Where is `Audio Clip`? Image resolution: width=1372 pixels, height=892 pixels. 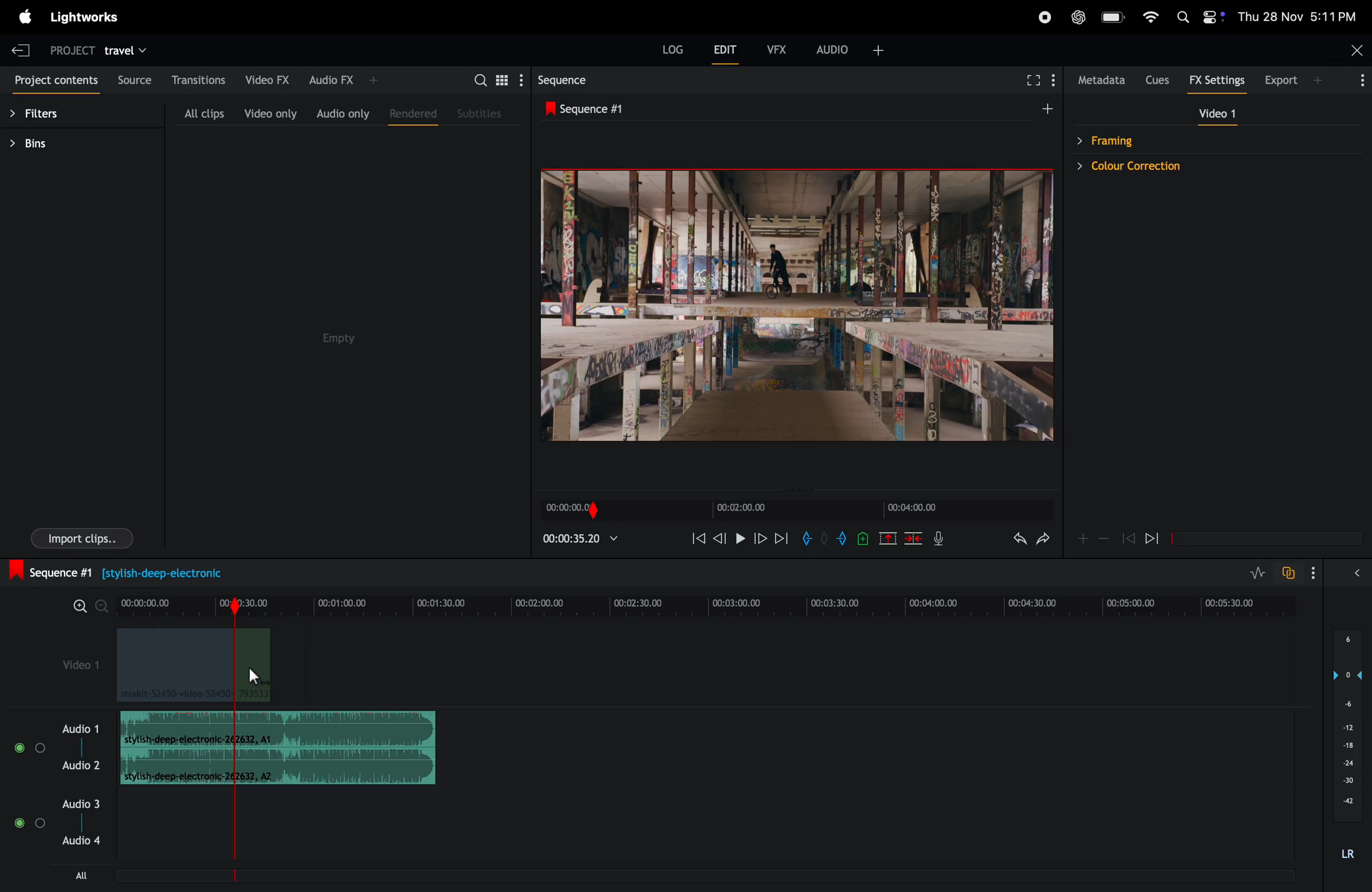
Audio Clip is located at coordinates (277, 768).